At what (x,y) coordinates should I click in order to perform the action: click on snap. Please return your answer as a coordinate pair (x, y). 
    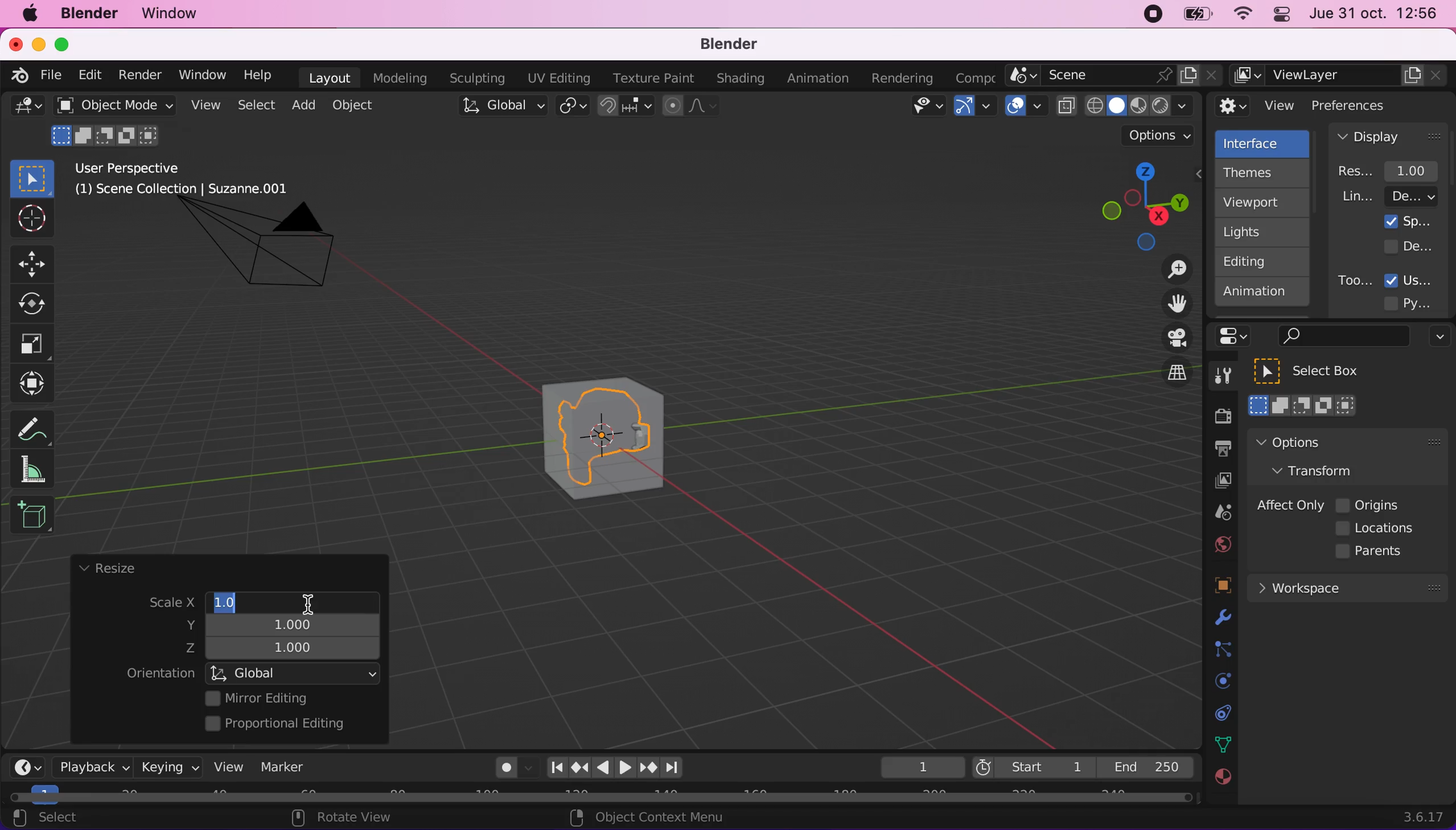
    Looking at the image, I should click on (627, 106).